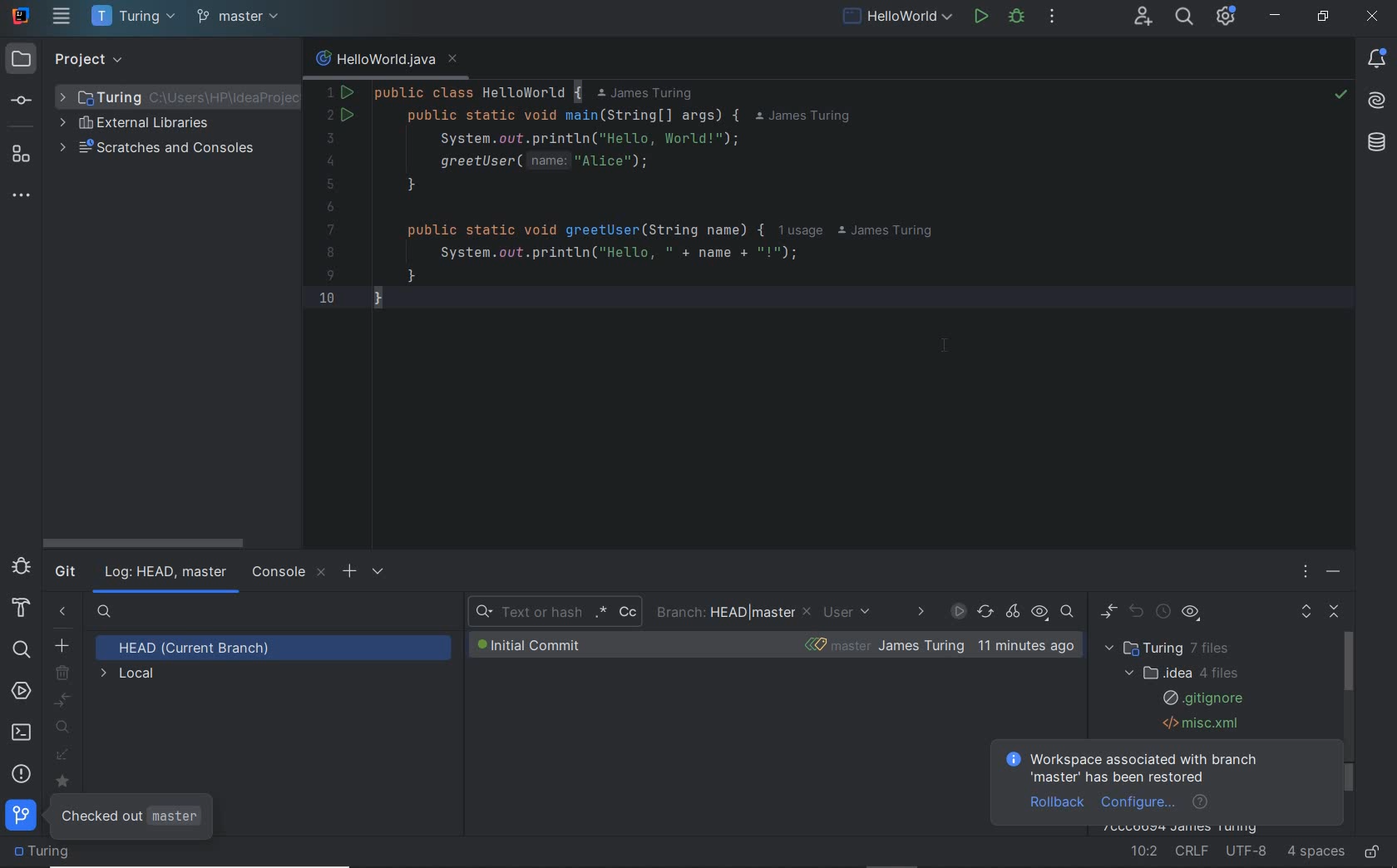 The width and height of the screenshot is (1397, 868). What do you see at coordinates (1350, 713) in the screenshot?
I see `scrollbar` at bounding box center [1350, 713].